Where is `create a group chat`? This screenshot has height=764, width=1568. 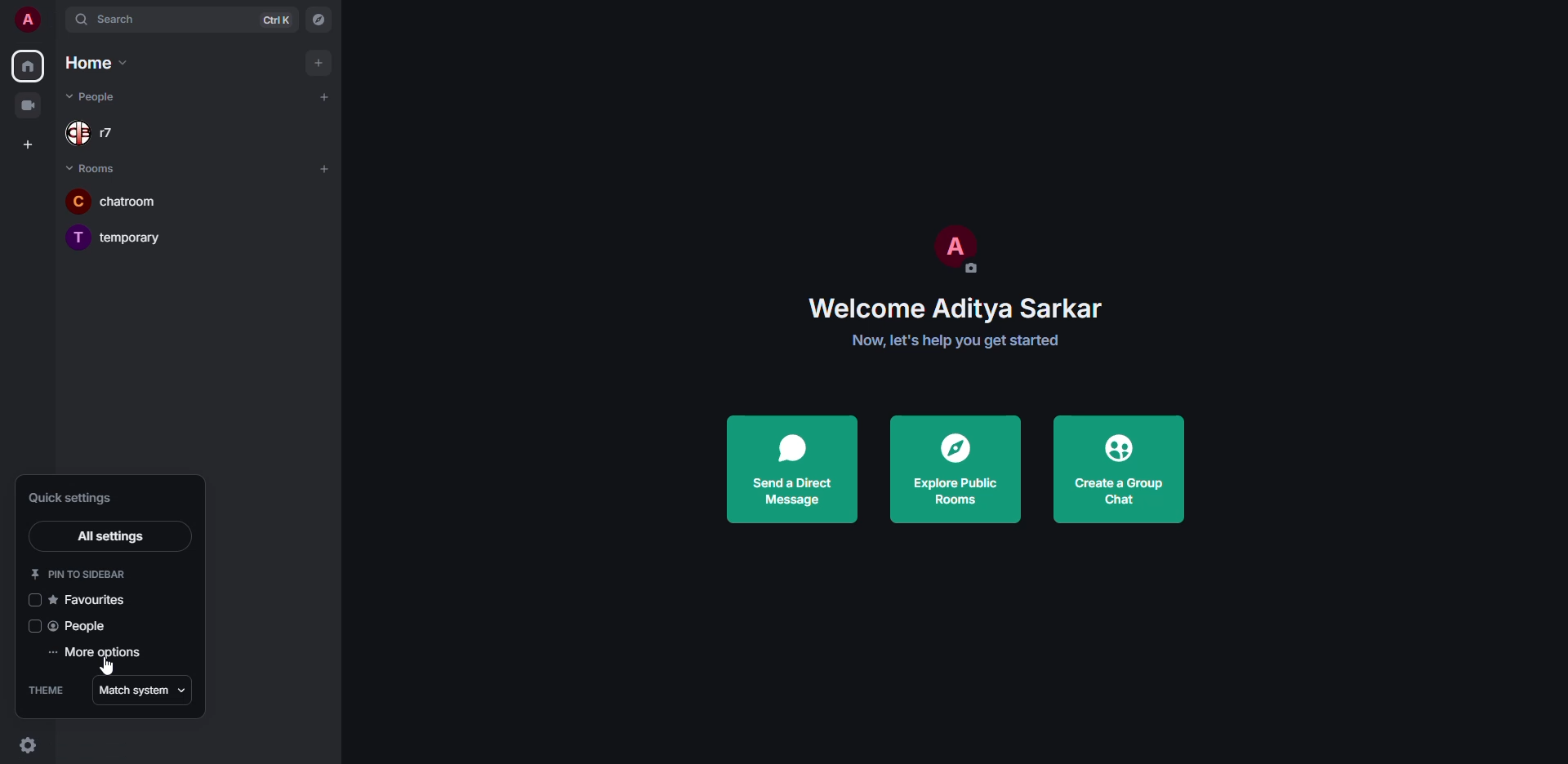
create a group chat is located at coordinates (1117, 472).